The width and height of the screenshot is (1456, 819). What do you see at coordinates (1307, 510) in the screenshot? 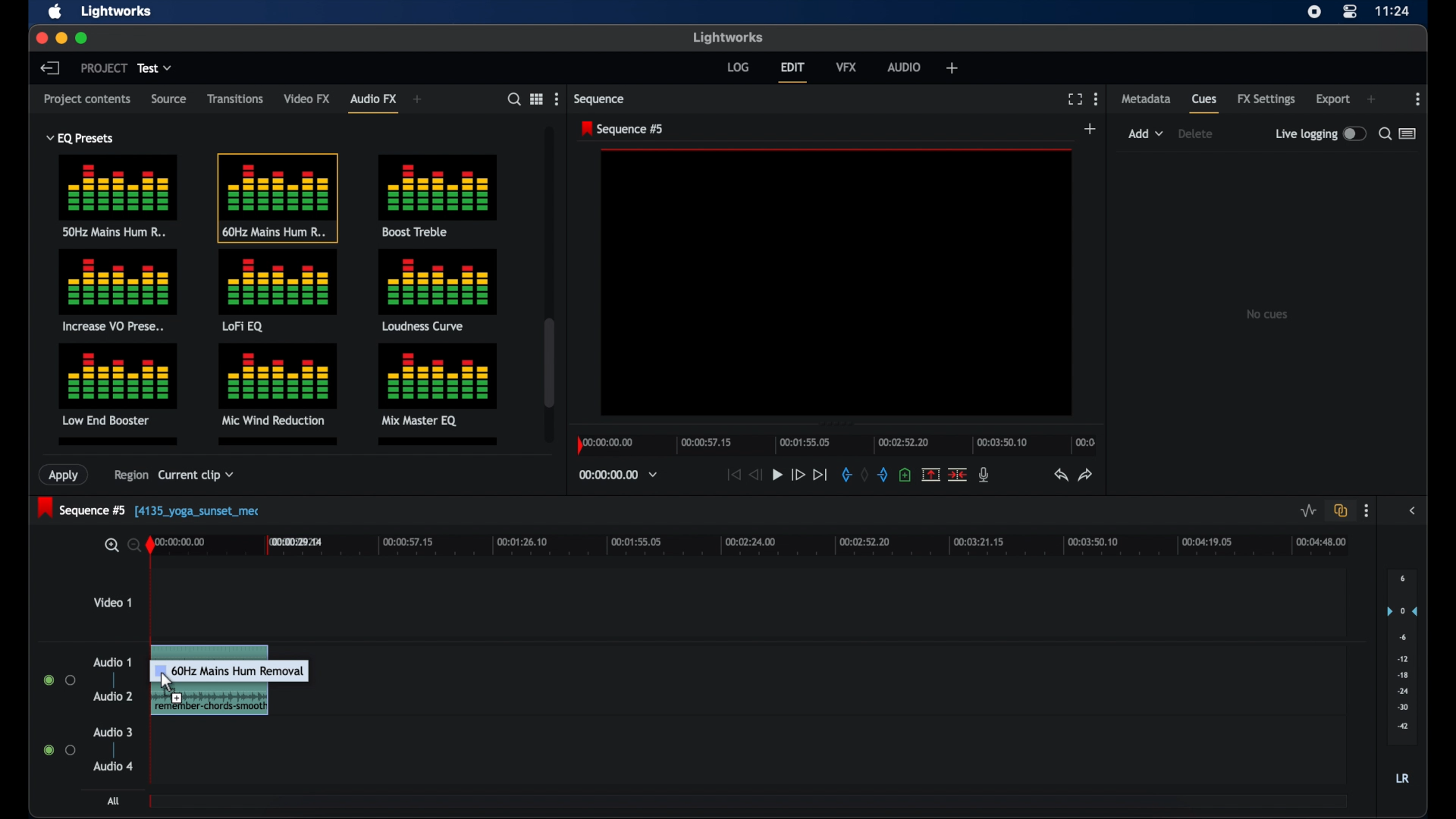
I see `toggle audio levels editing` at bounding box center [1307, 510].